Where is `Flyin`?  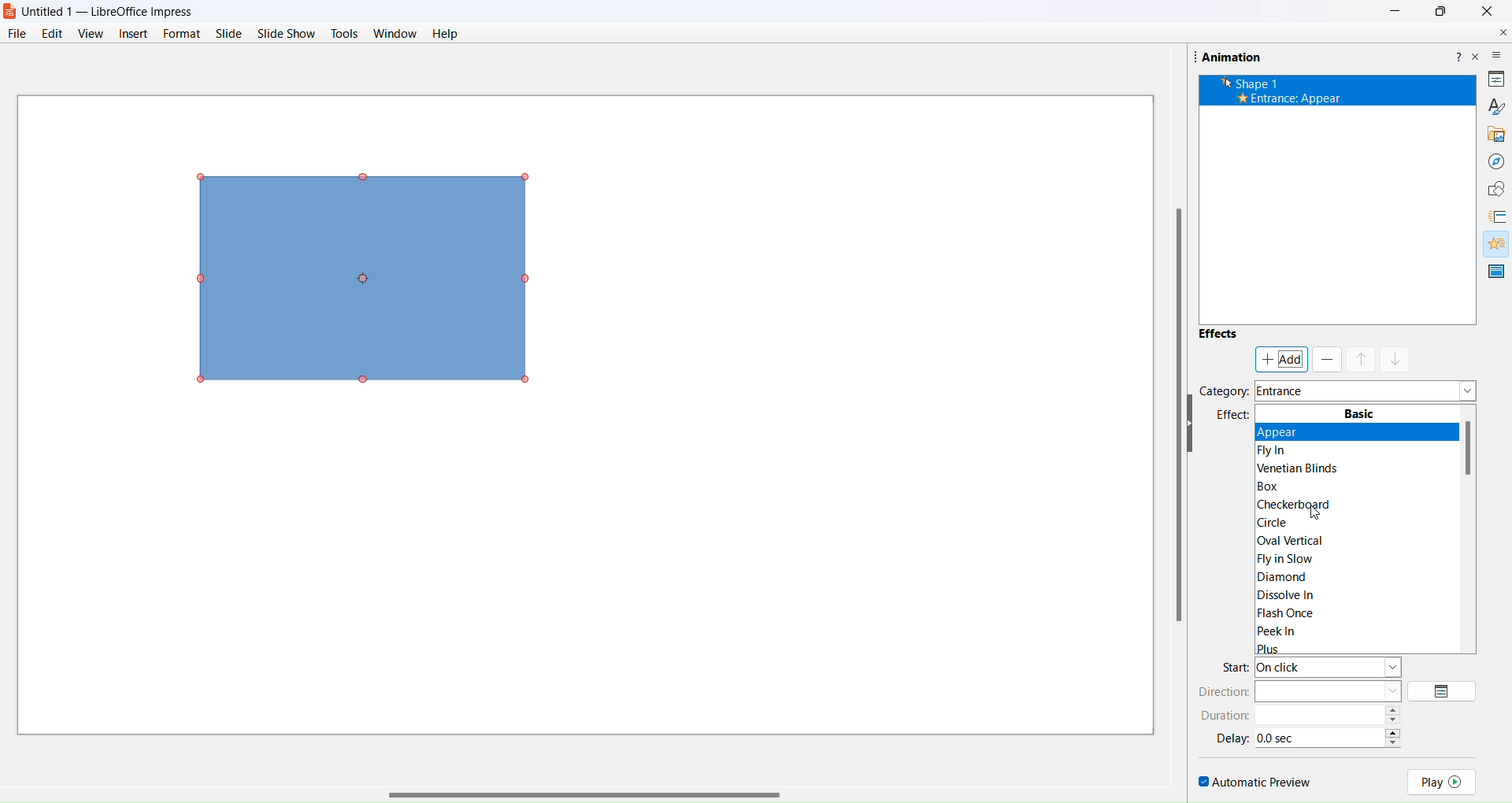 Flyin is located at coordinates (1288, 451).